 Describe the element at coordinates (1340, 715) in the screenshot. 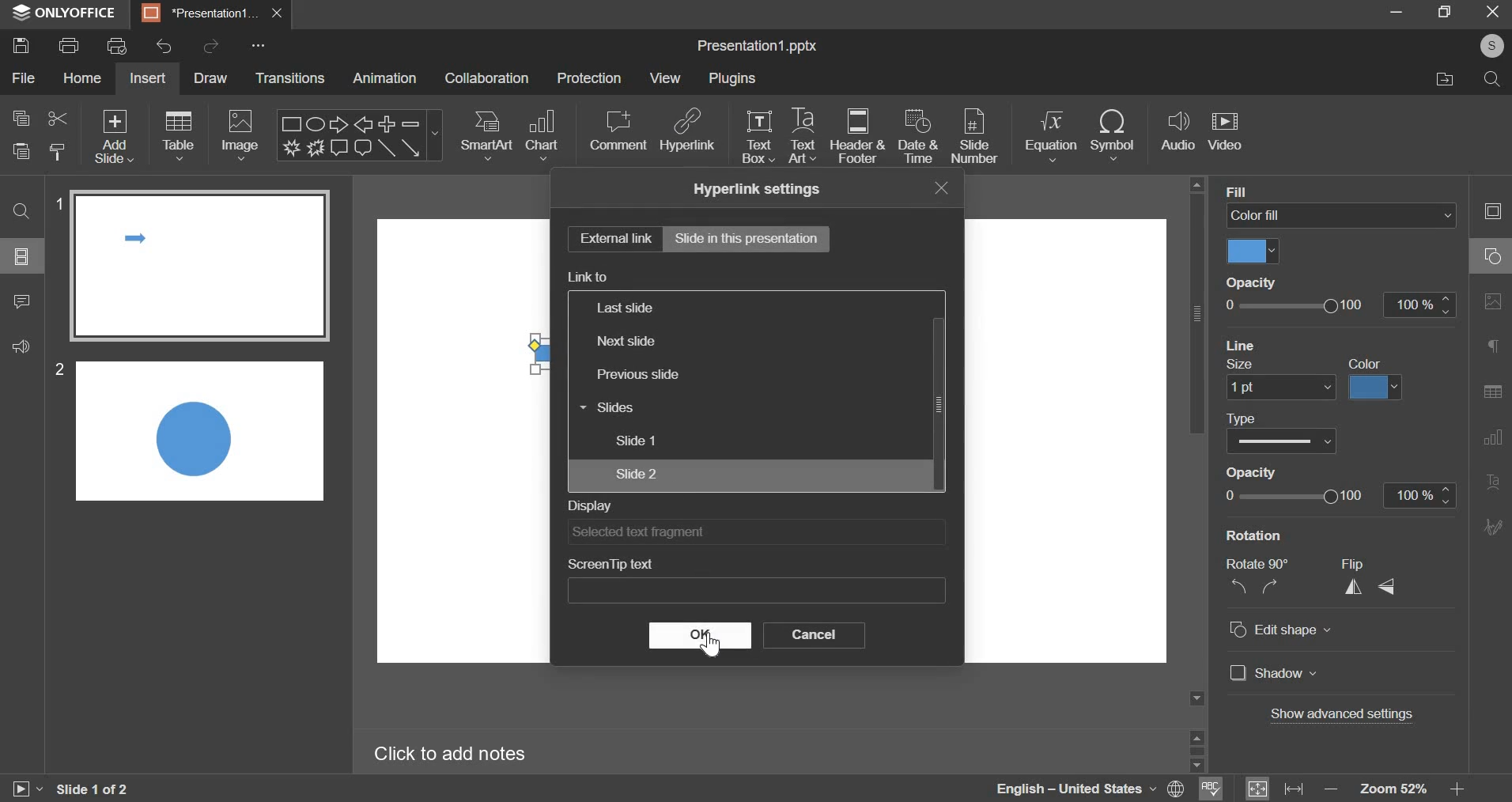

I see `show advanced settings` at that location.